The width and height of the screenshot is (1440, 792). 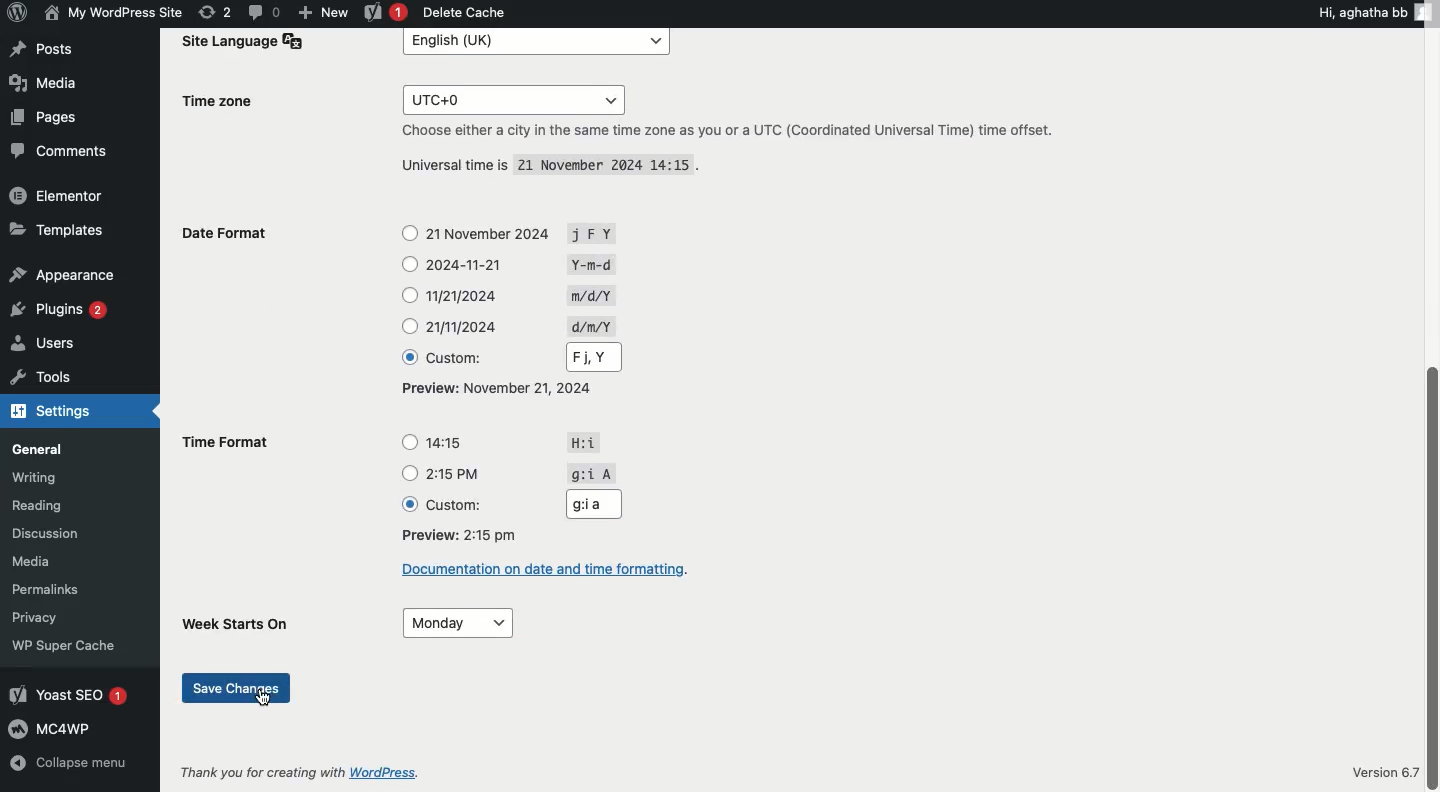 What do you see at coordinates (36, 49) in the screenshot?
I see `Post` at bounding box center [36, 49].